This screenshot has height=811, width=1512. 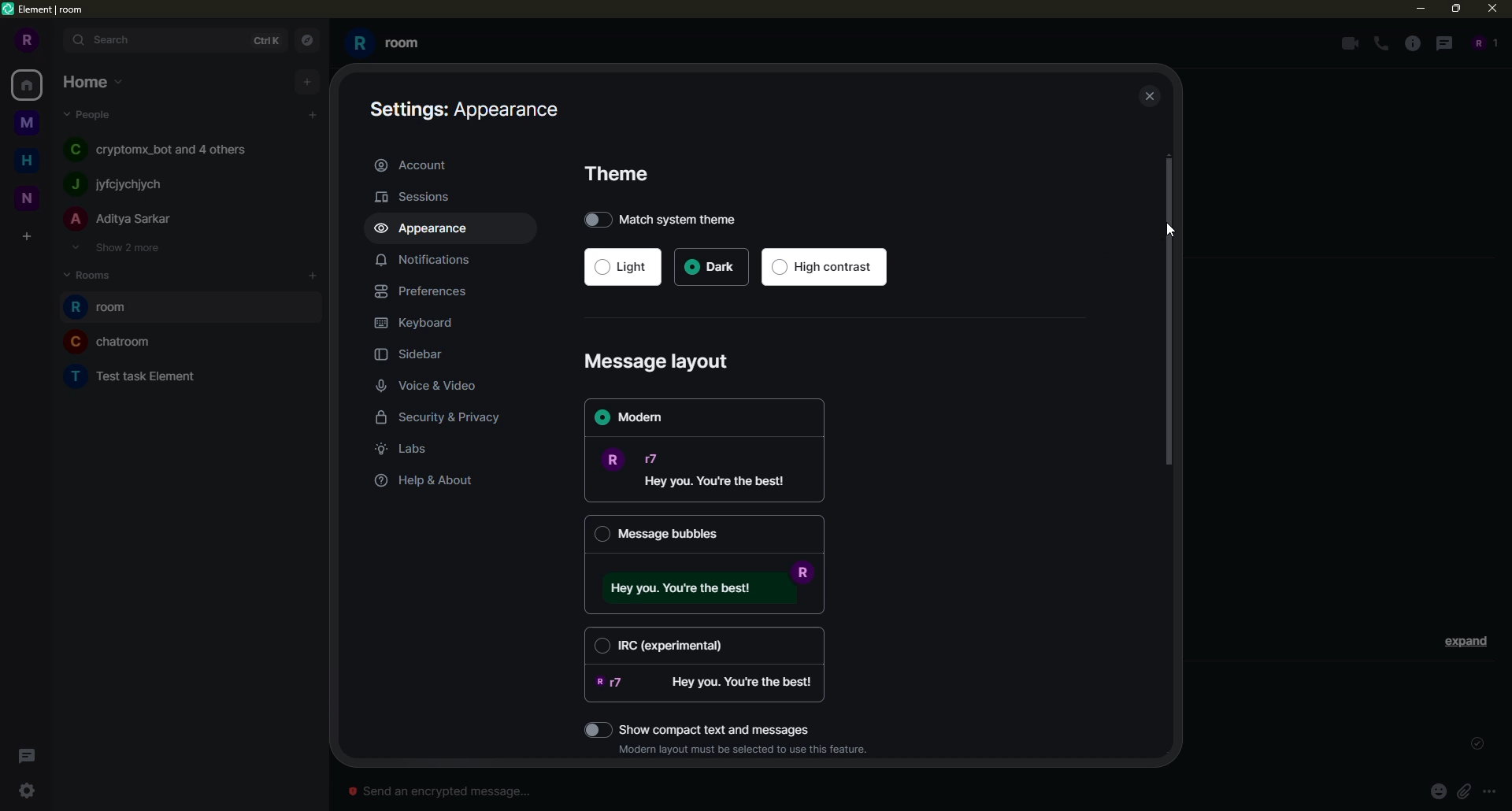 What do you see at coordinates (57, 41) in the screenshot?
I see `expand` at bounding box center [57, 41].